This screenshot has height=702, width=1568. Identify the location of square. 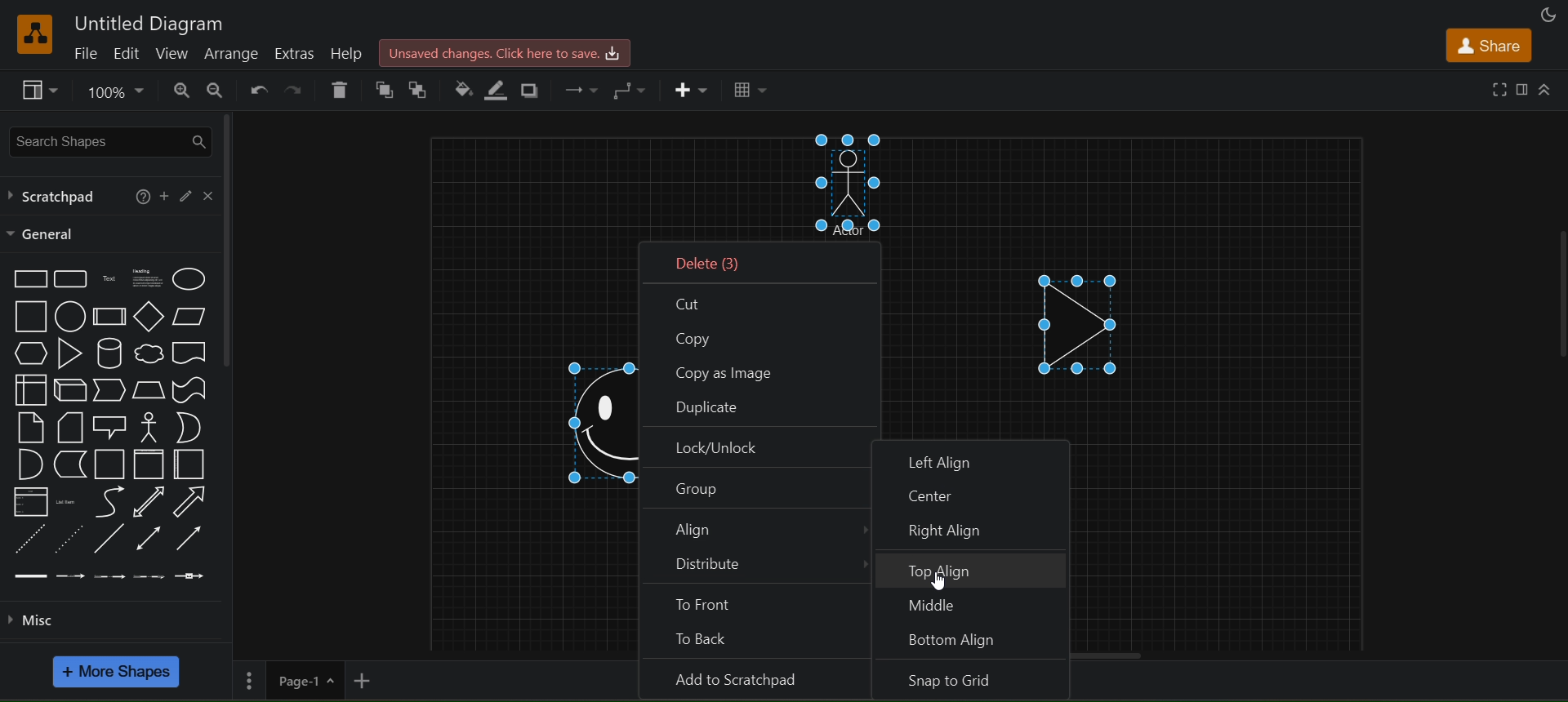
(29, 317).